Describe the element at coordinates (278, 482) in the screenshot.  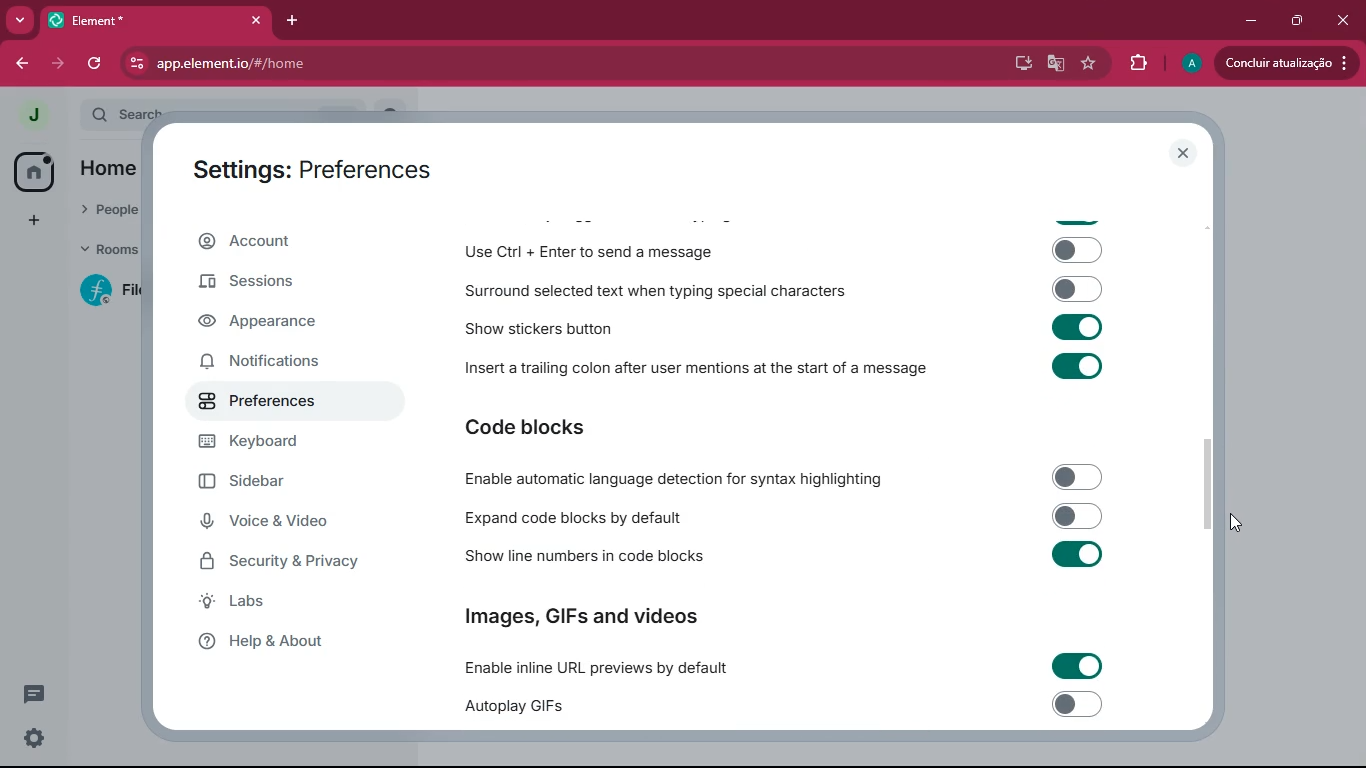
I see `sidebar` at that location.